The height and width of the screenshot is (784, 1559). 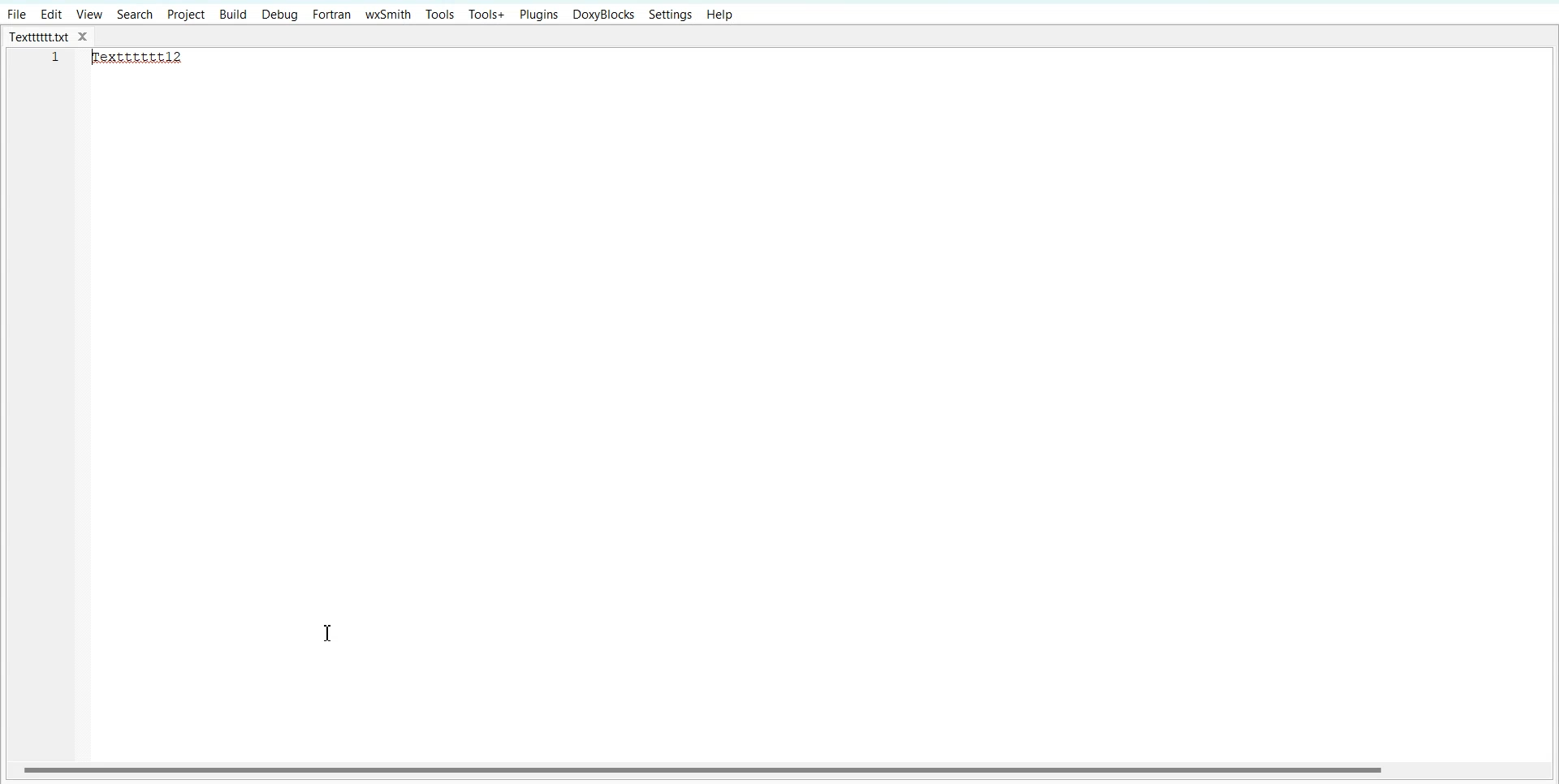 I want to click on Tools, so click(x=440, y=14).